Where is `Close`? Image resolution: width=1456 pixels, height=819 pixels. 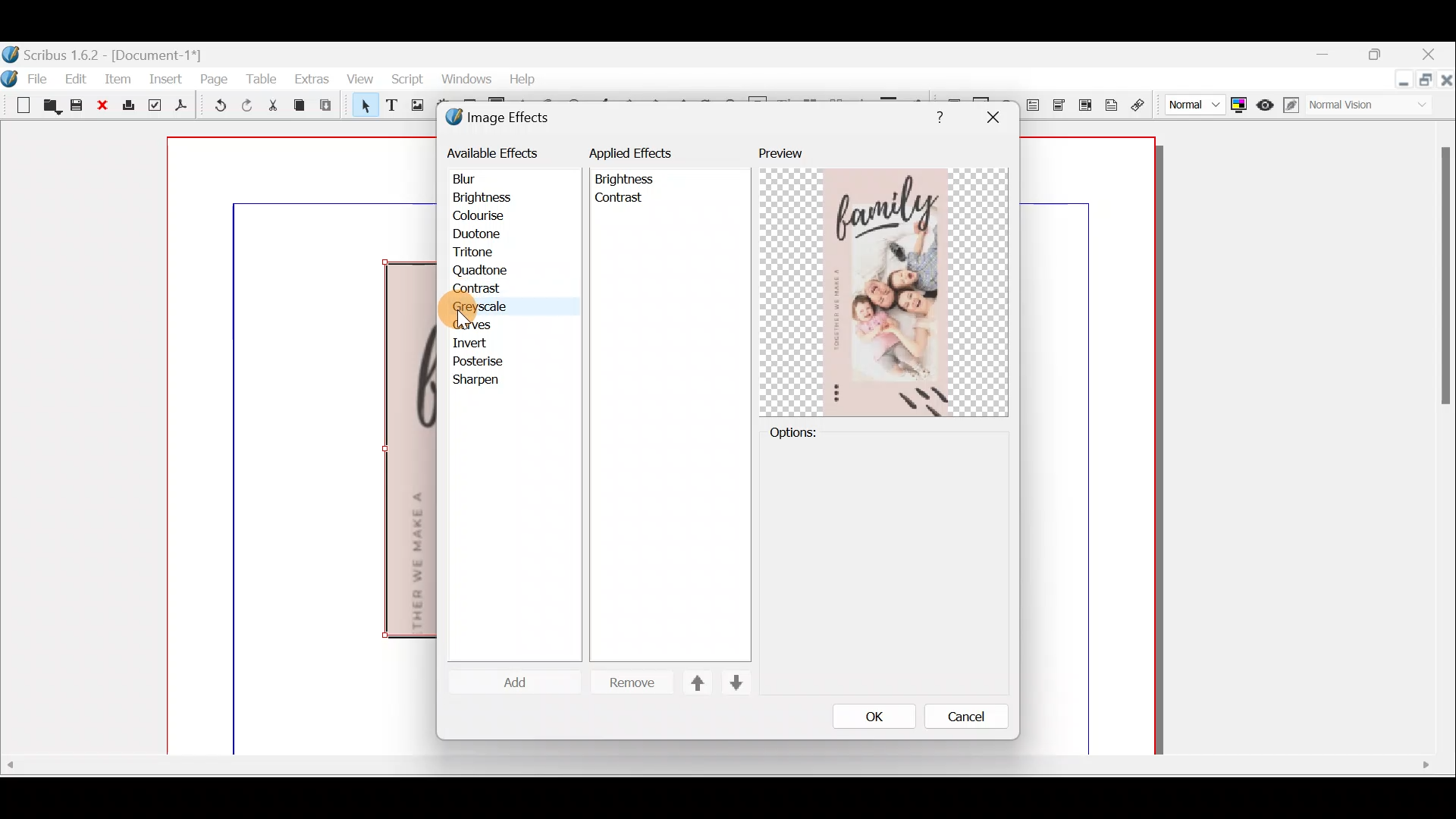
Close is located at coordinates (1433, 54).